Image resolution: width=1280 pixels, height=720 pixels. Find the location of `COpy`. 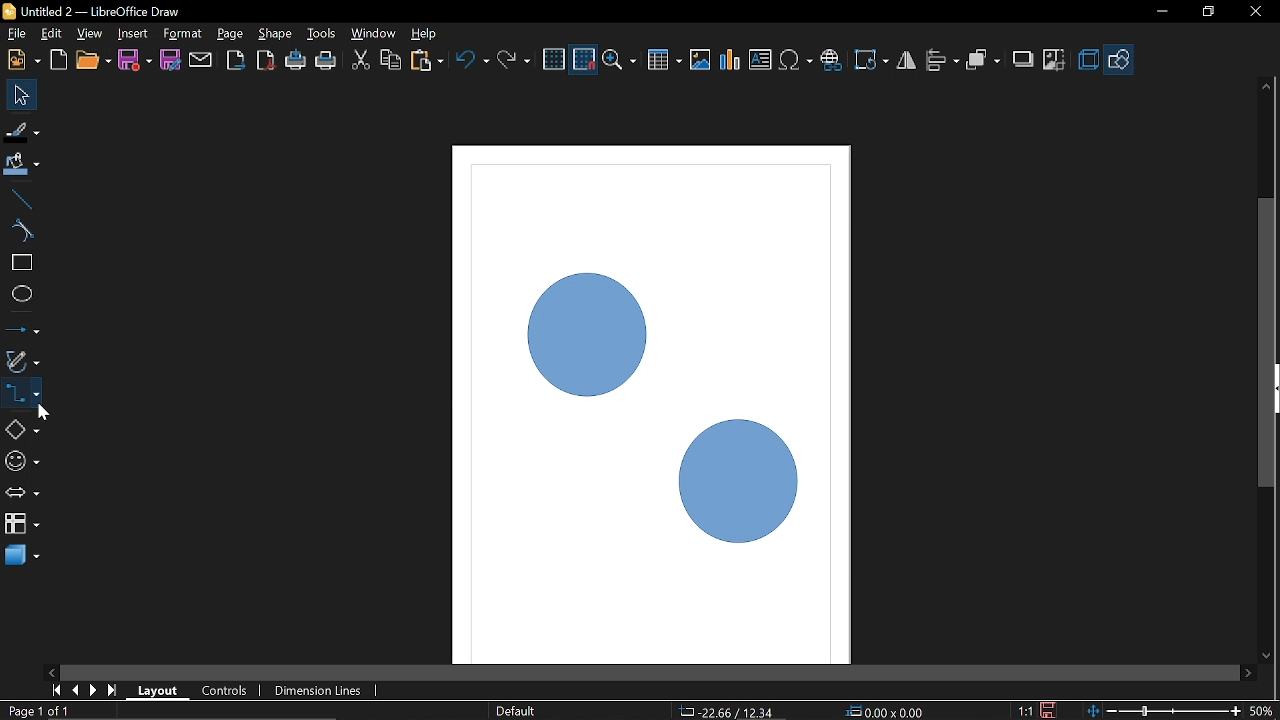

COpy is located at coordinates (390, 61).